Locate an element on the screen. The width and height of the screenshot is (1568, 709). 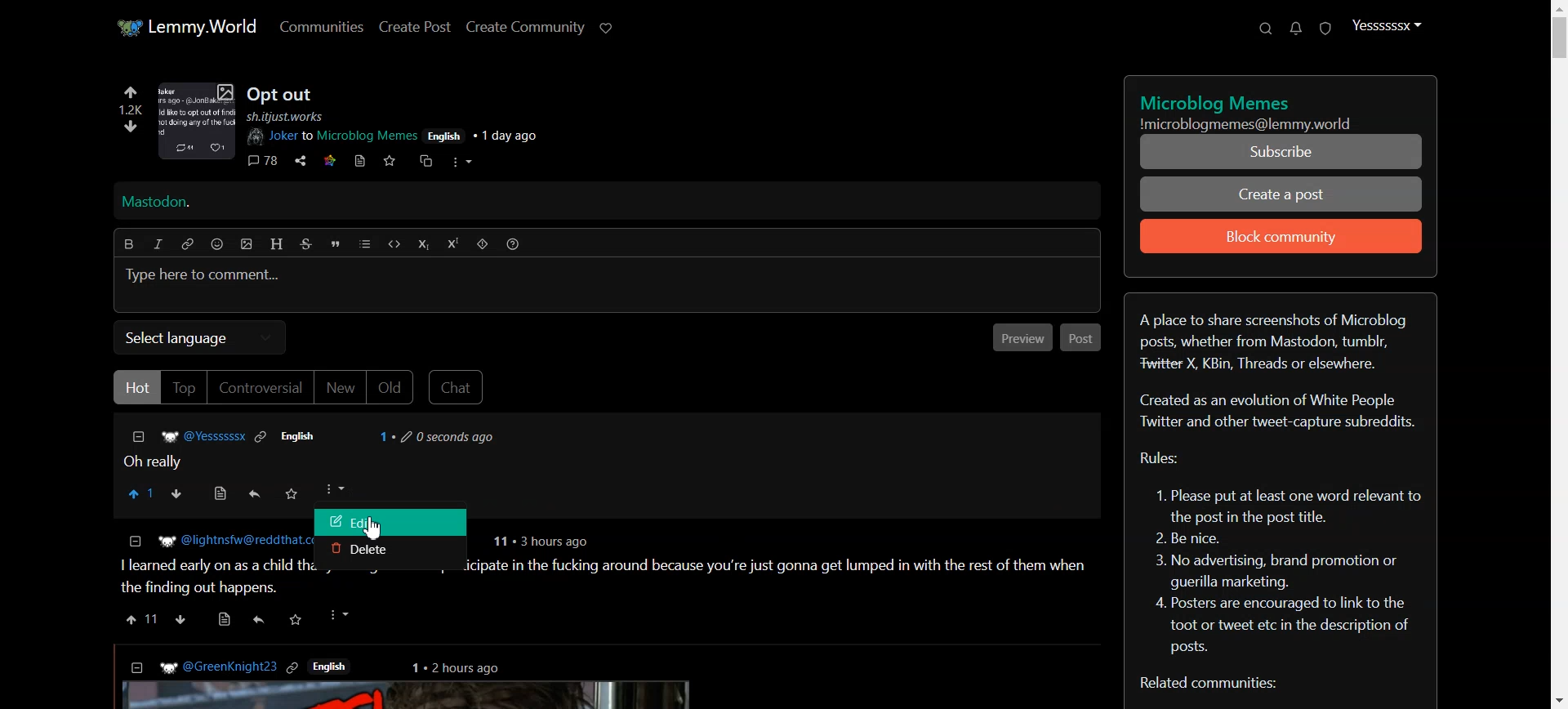
Create a Post is located at coordinates (1280, 194).